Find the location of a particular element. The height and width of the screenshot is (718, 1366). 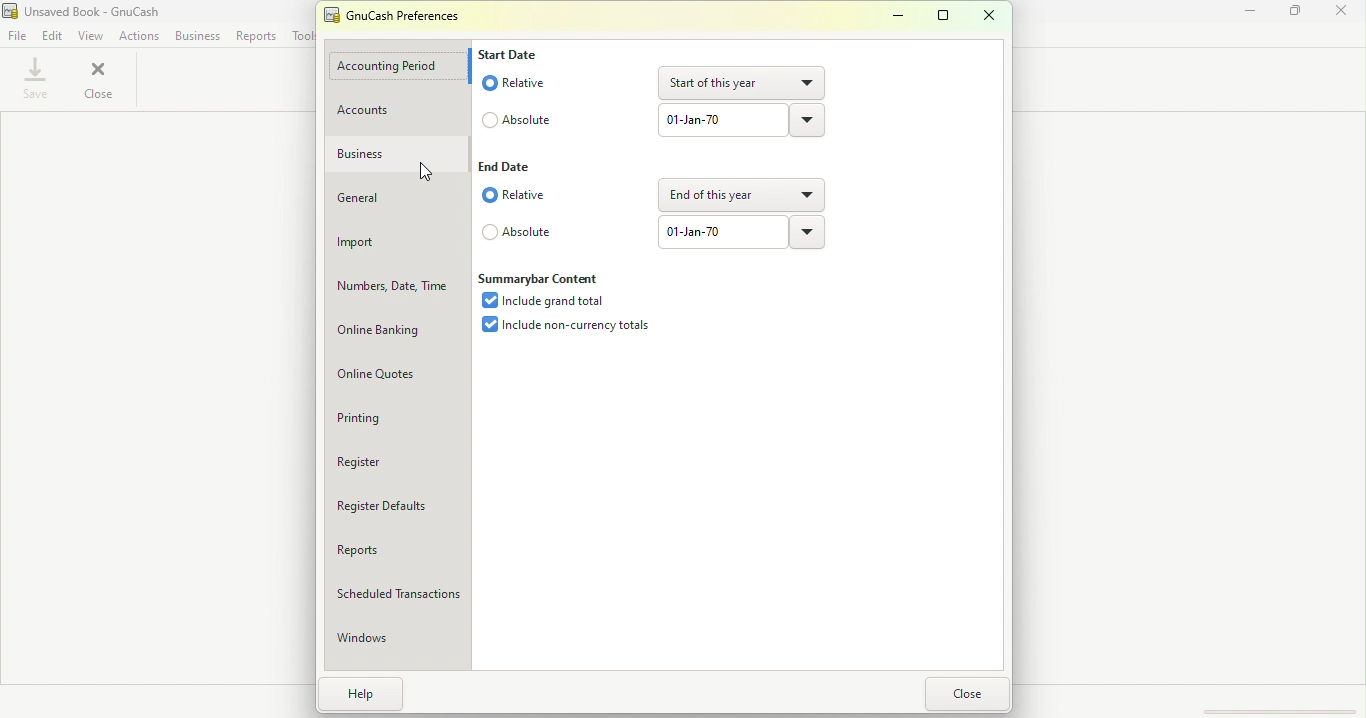

Numbers, Date, Time is located at coordinates (397, 286).